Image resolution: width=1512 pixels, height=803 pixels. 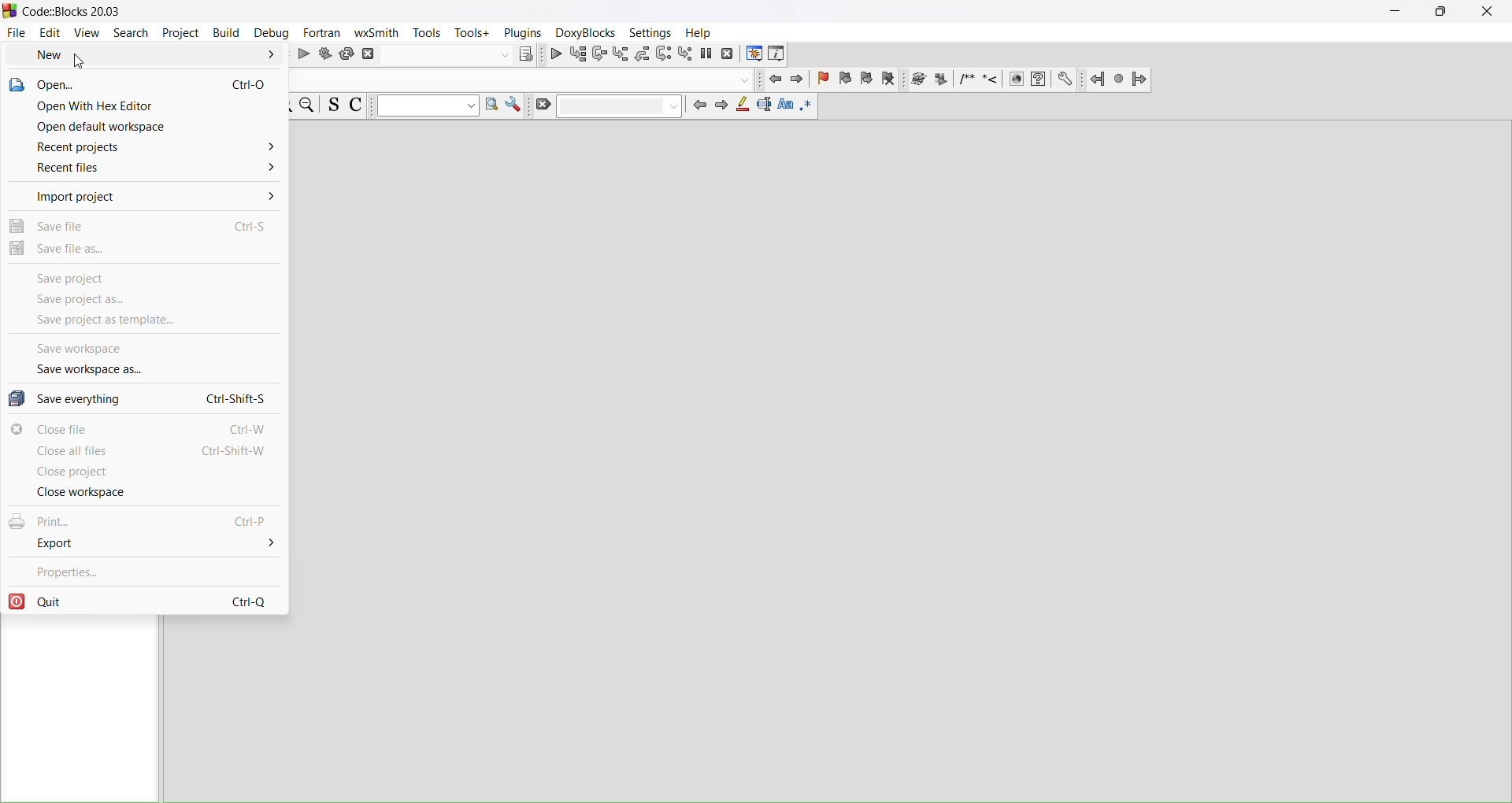 What do you see at coordinates (132, 34) in the screenshot?
I see `search` at bounding box center [132, 34].